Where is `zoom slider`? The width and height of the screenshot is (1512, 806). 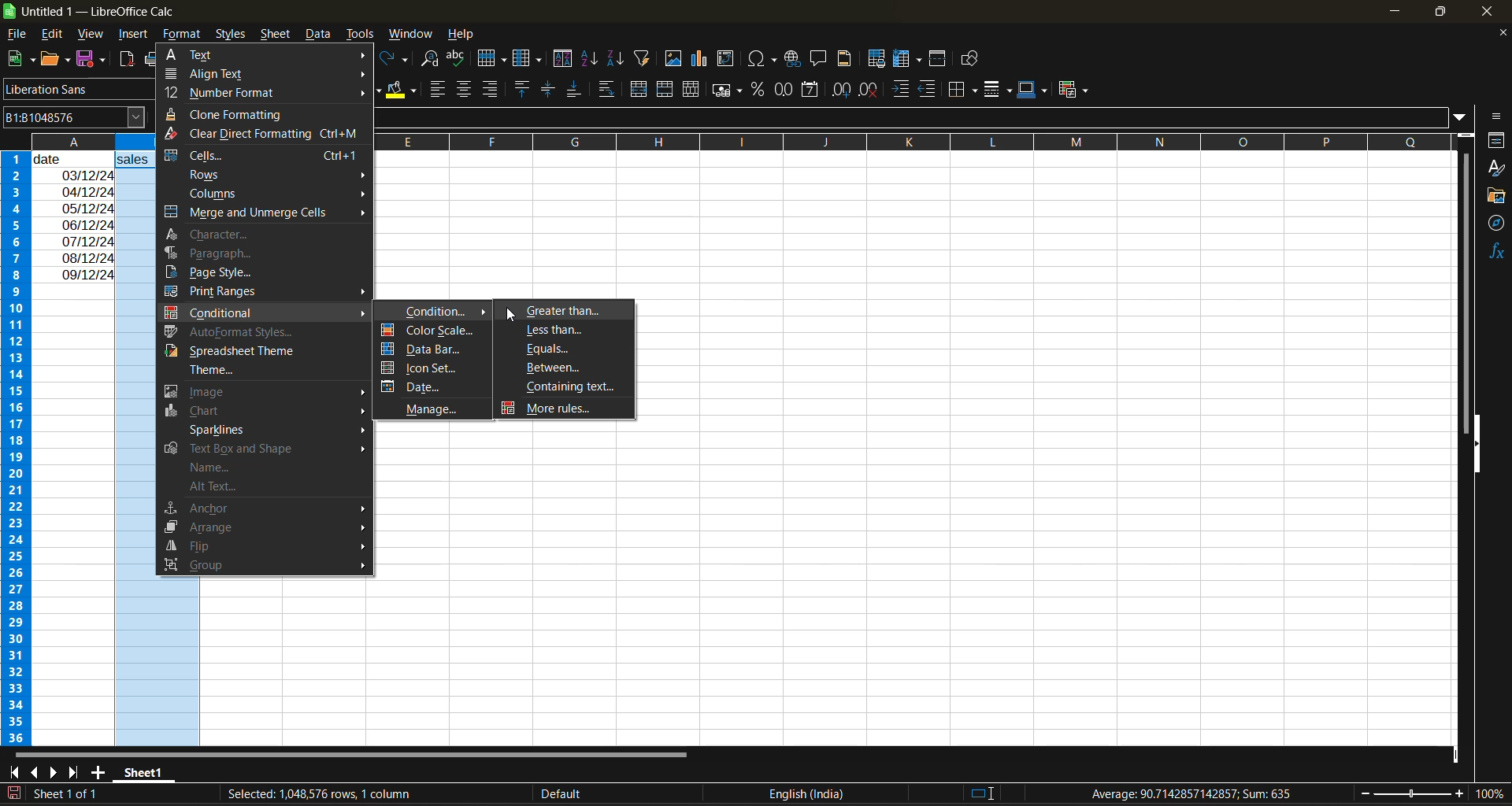 zoom slider is located at coordinates (1413, 793).